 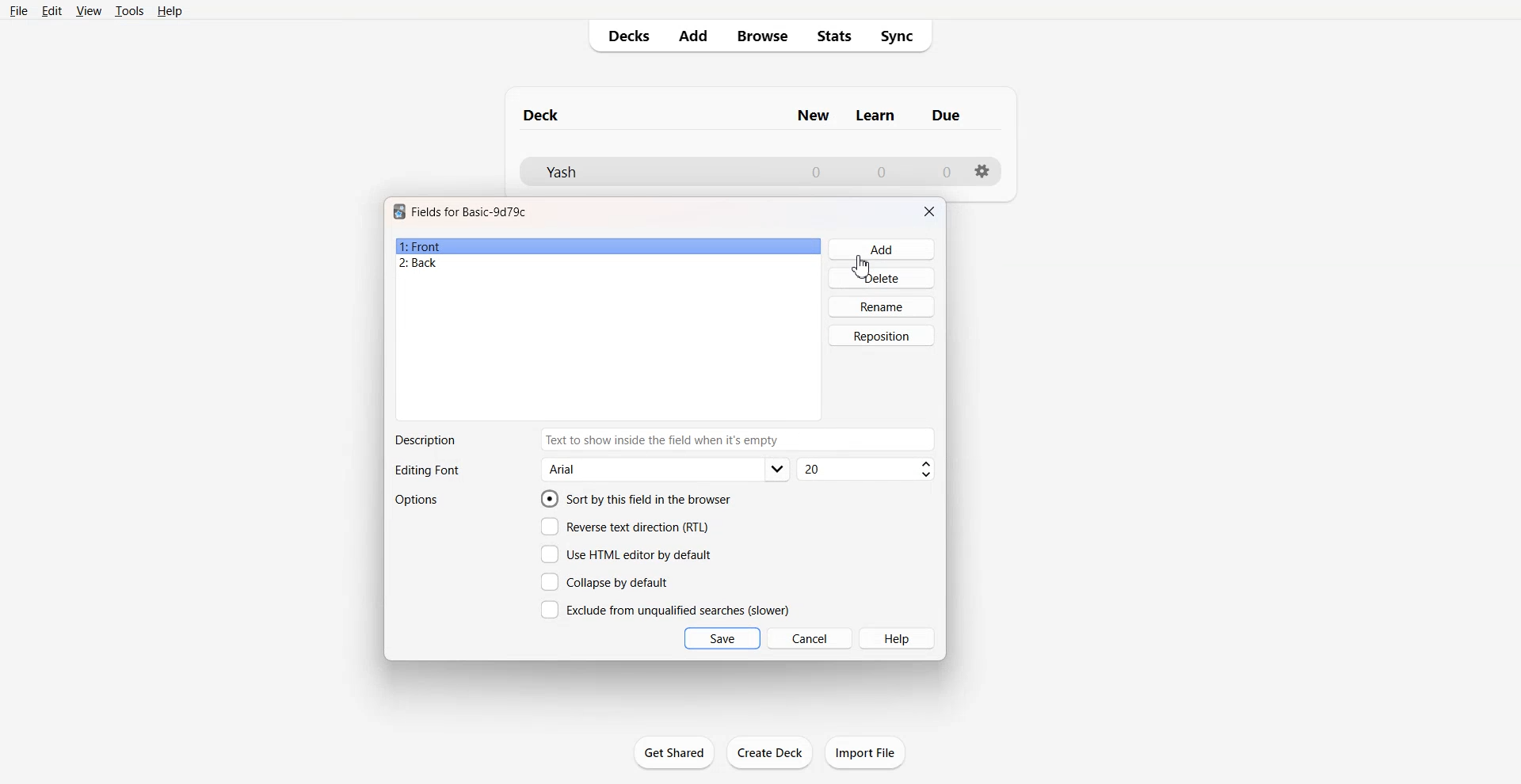 What do you see at coordinates (542, 115) in the screenshot?
I see `Text 1` at bounding box center [542, 115].